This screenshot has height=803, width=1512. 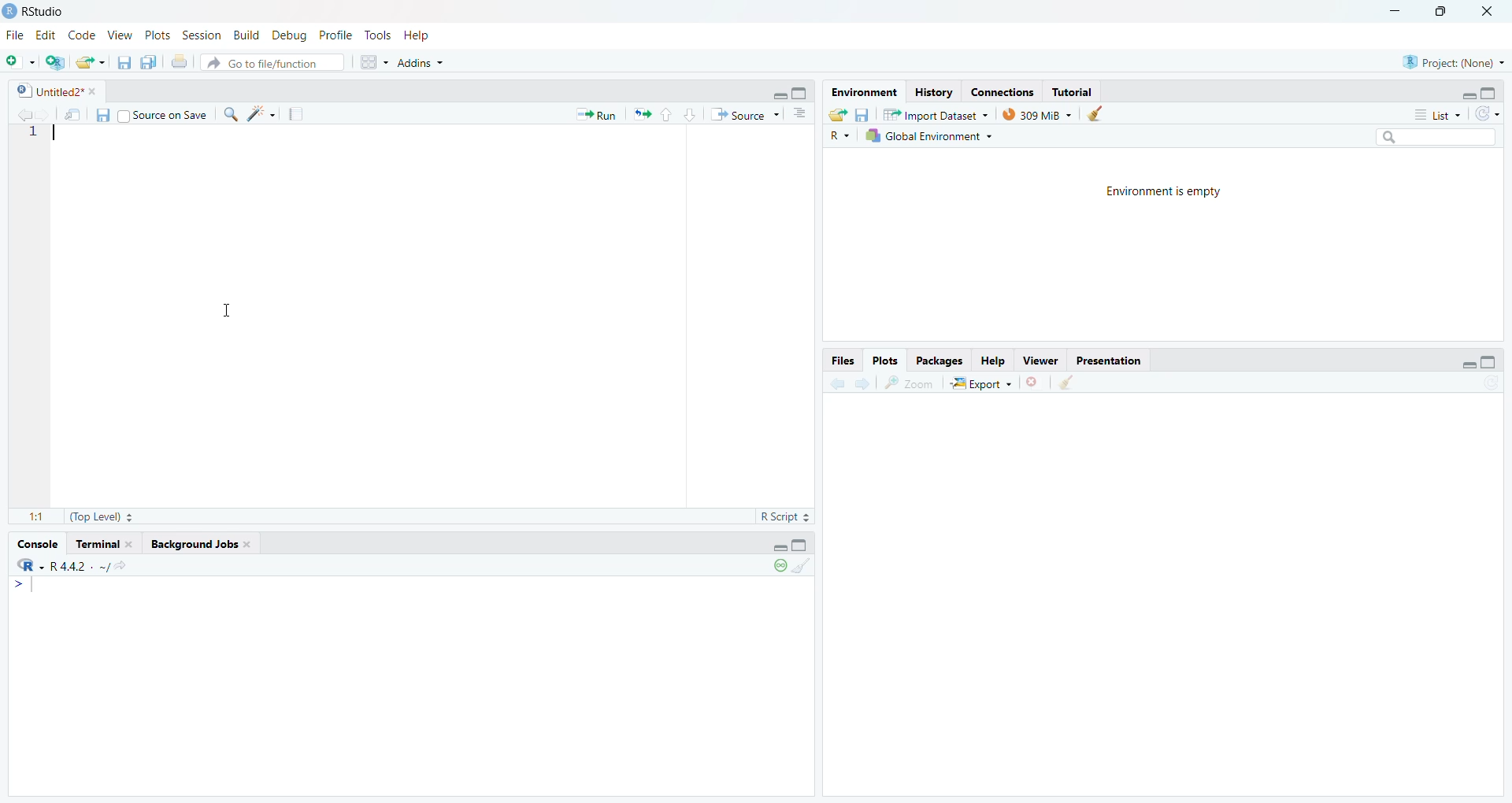 I want to click on minimise, so click(x=779, y=94).